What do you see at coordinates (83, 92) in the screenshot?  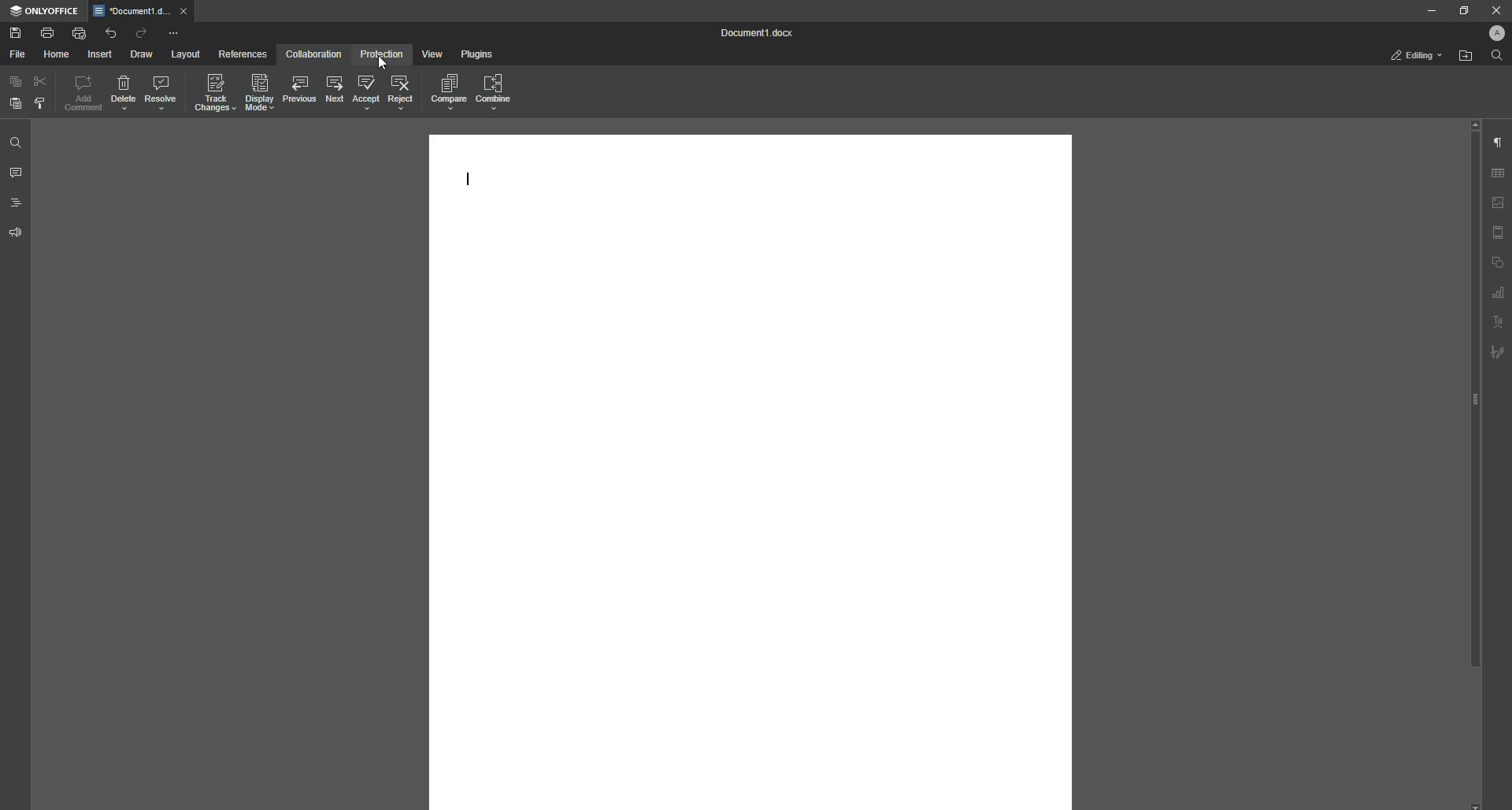 I see `Add Comment` at bounding box center [83, 92].